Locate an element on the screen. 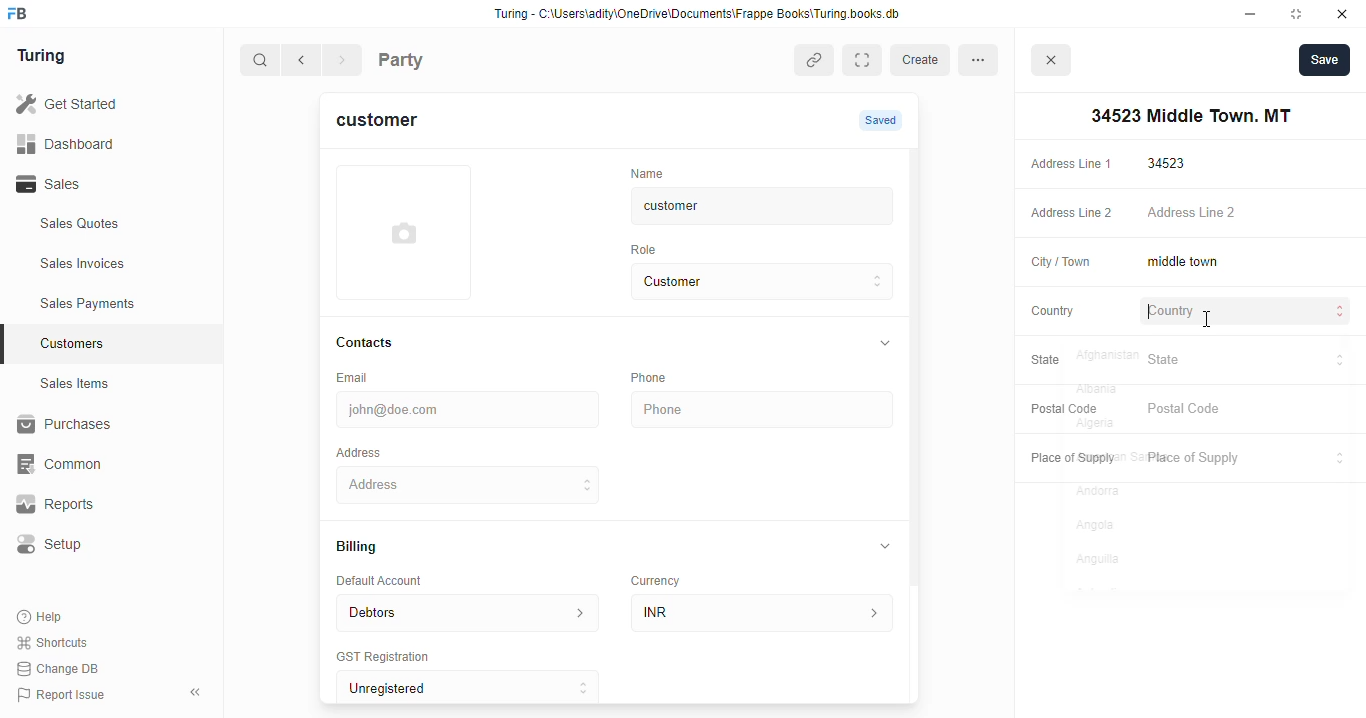 This screenshot has width=1366, height=718. Address is located at coordinates (372, 451).